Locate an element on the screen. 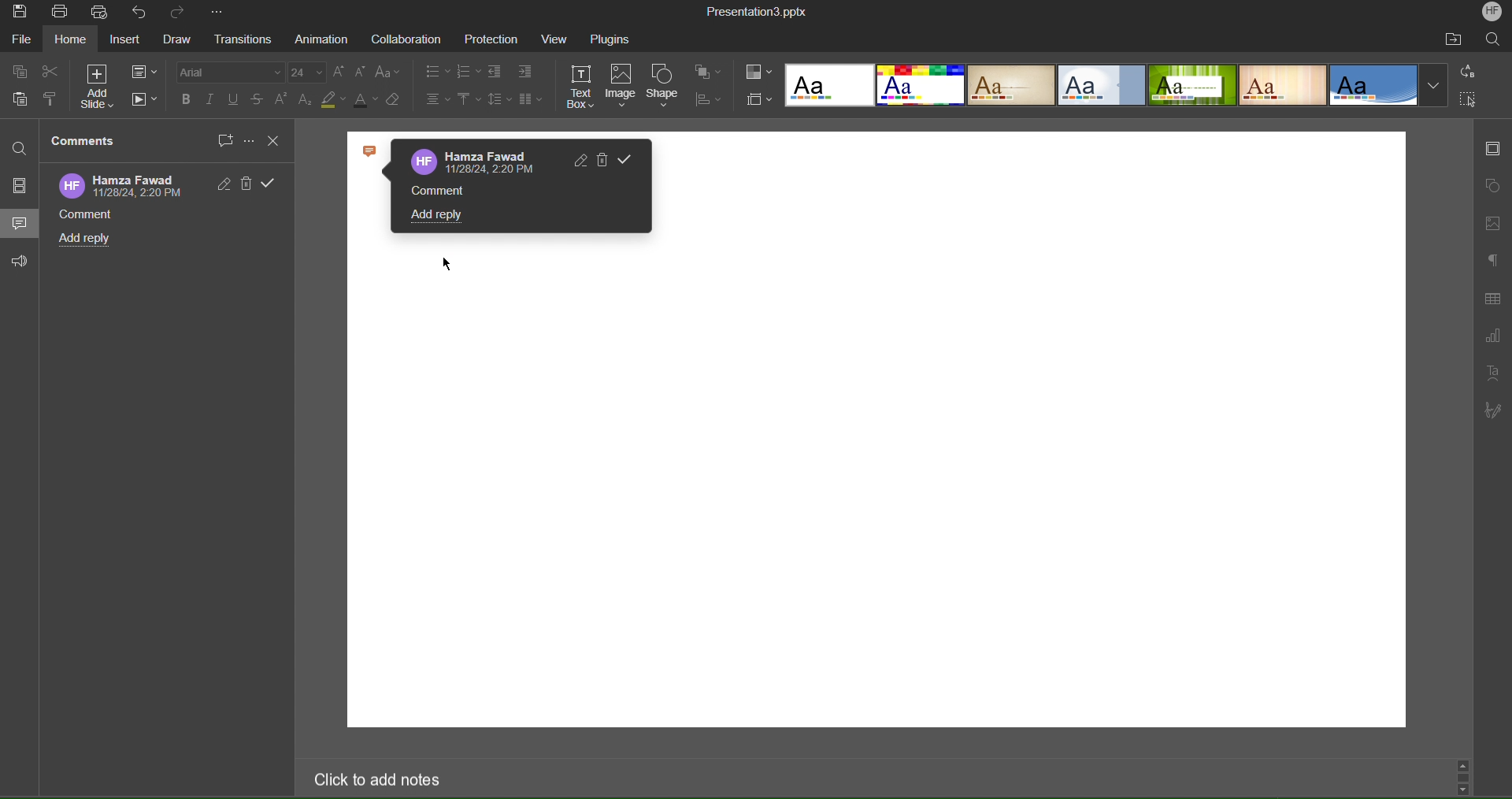  Close is located at coordinates (276, 141).